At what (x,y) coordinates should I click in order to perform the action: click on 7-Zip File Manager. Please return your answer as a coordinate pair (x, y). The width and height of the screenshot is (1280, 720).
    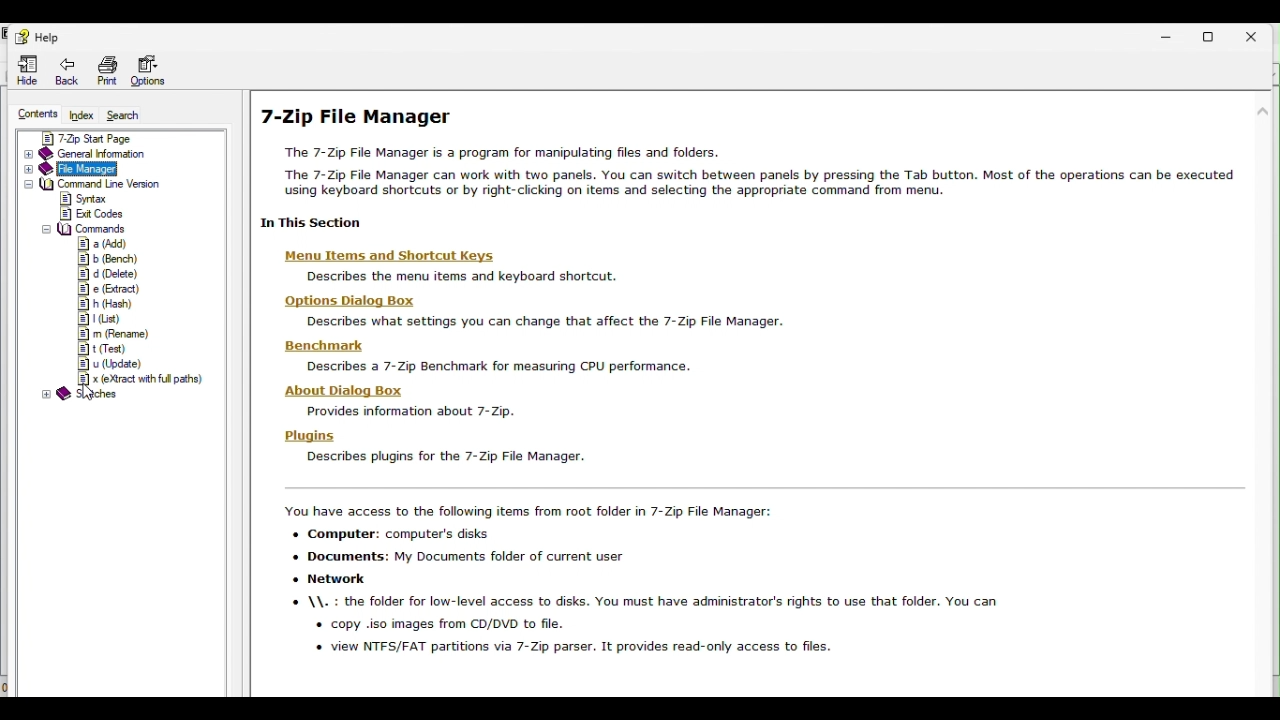
    Looking at the image, I should click on (360, 119).